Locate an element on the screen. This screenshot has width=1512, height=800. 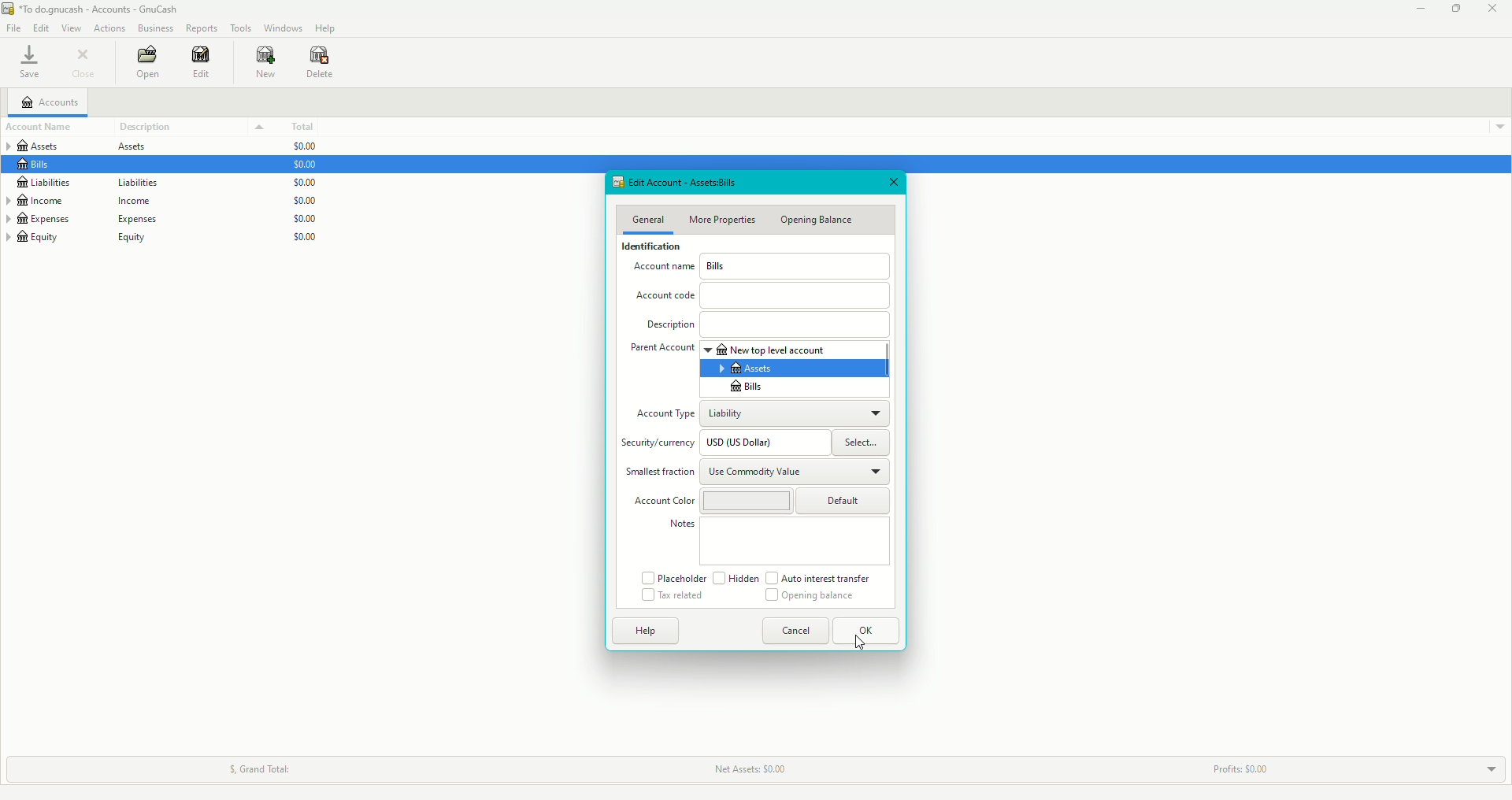
Account code is located at coordinates (762, 295).